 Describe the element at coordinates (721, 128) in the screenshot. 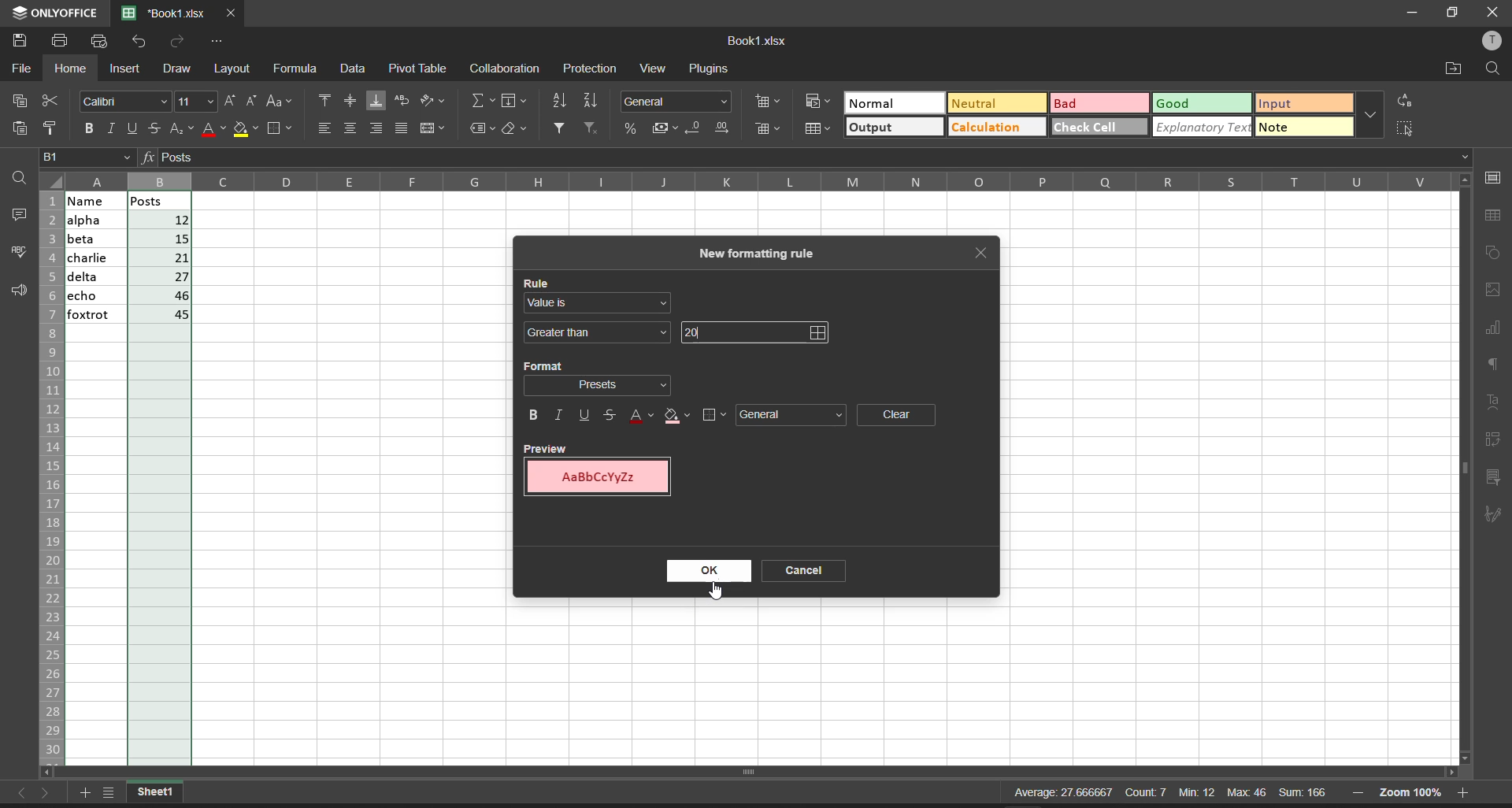

I see `increase decimal` at that location.